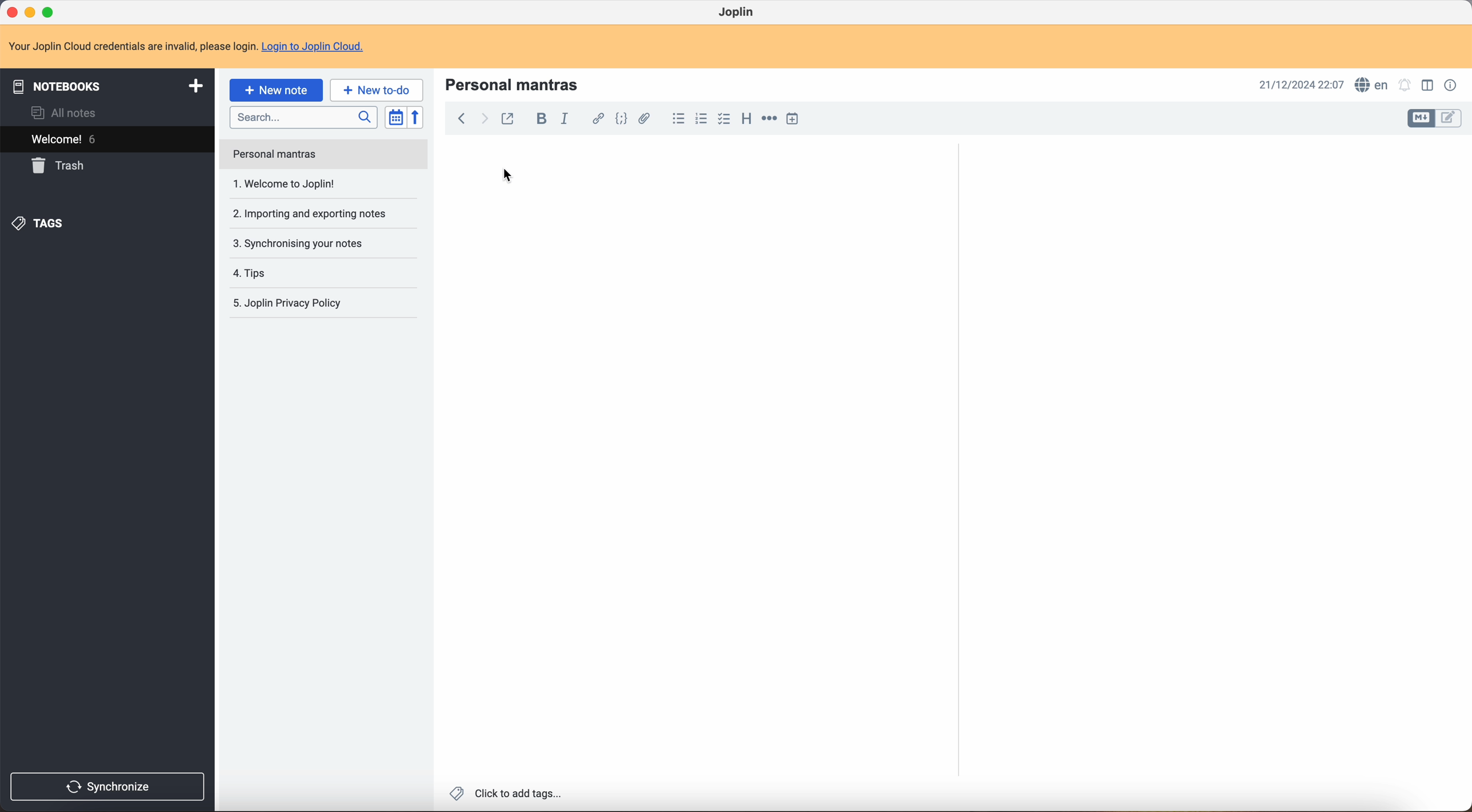 The width and height of the screenshot is (1472, 812). What do you see at coordinates (509, 175) in the screenshot?
I see `cursor` at bounding box center [509, 175].